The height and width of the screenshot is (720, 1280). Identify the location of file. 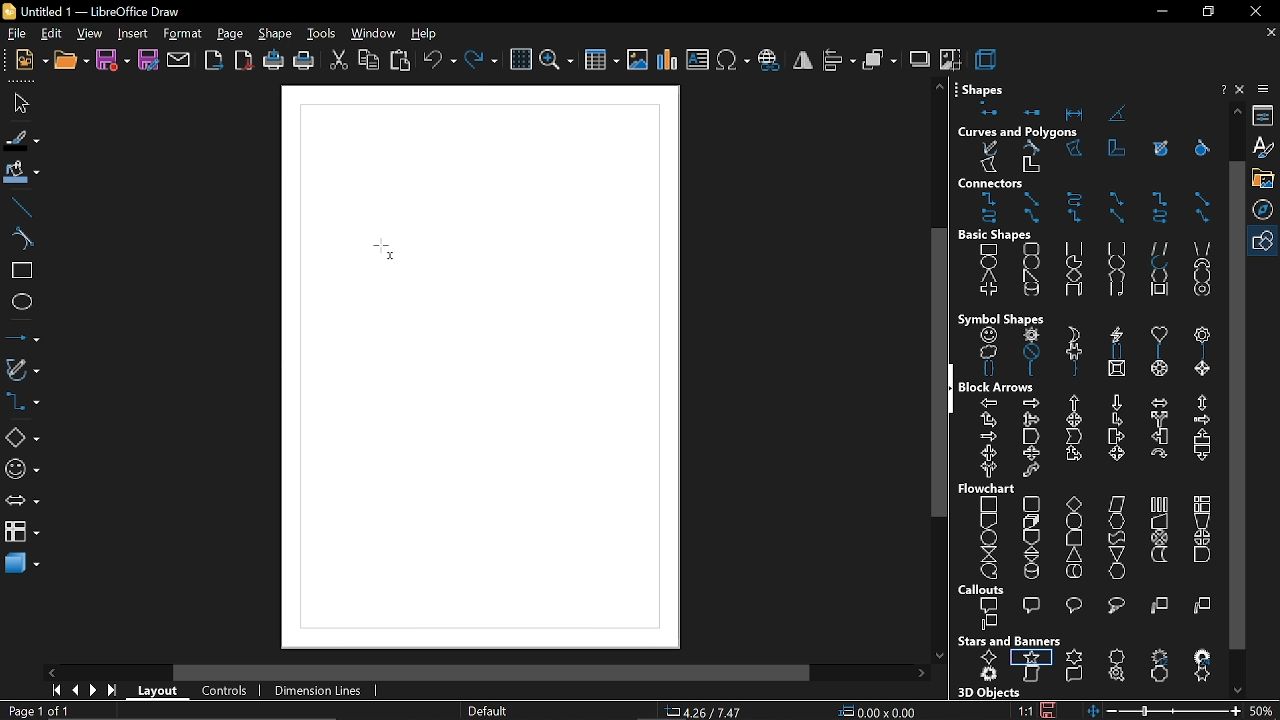
(14, 34).